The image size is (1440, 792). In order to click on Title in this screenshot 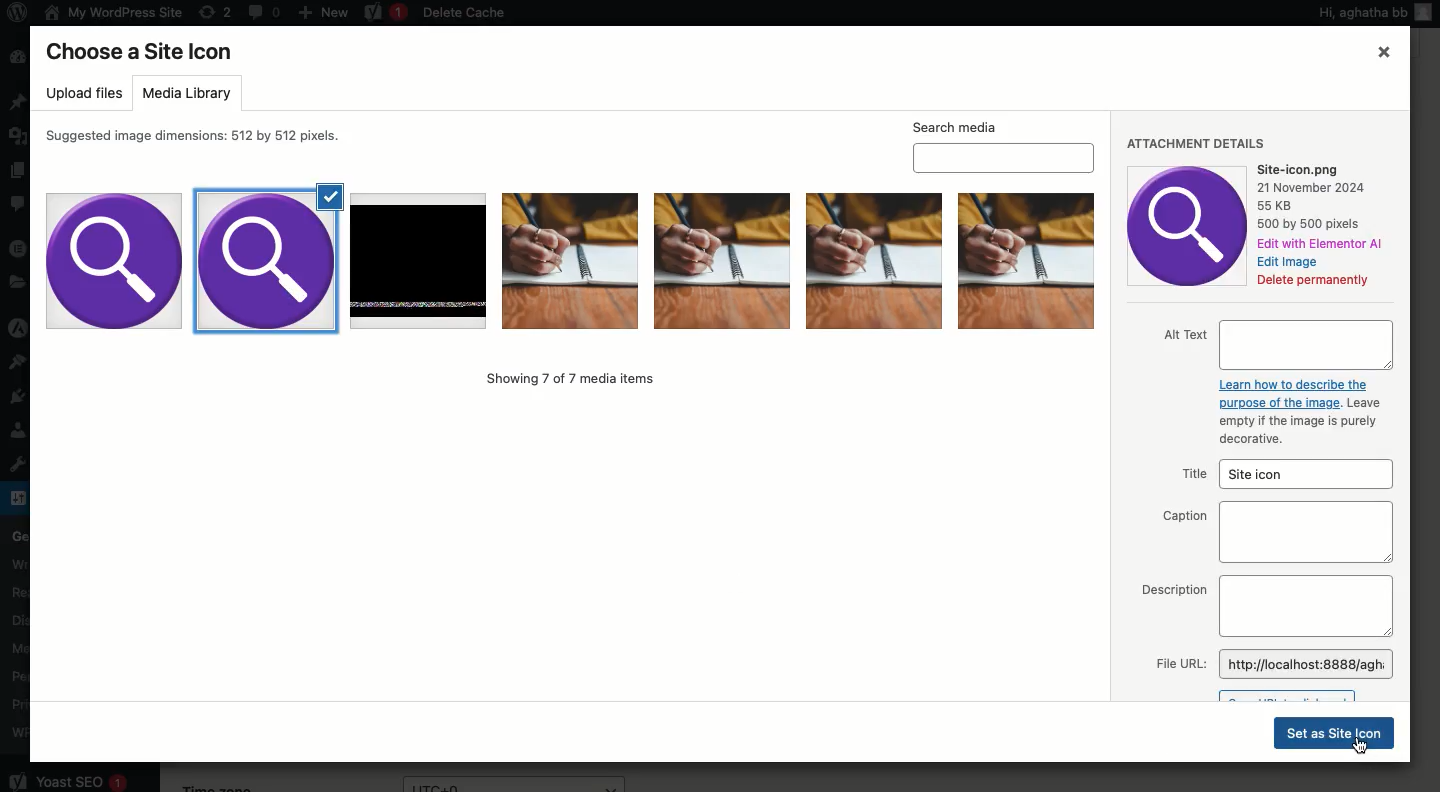, I will do `click(1195, 474)`.